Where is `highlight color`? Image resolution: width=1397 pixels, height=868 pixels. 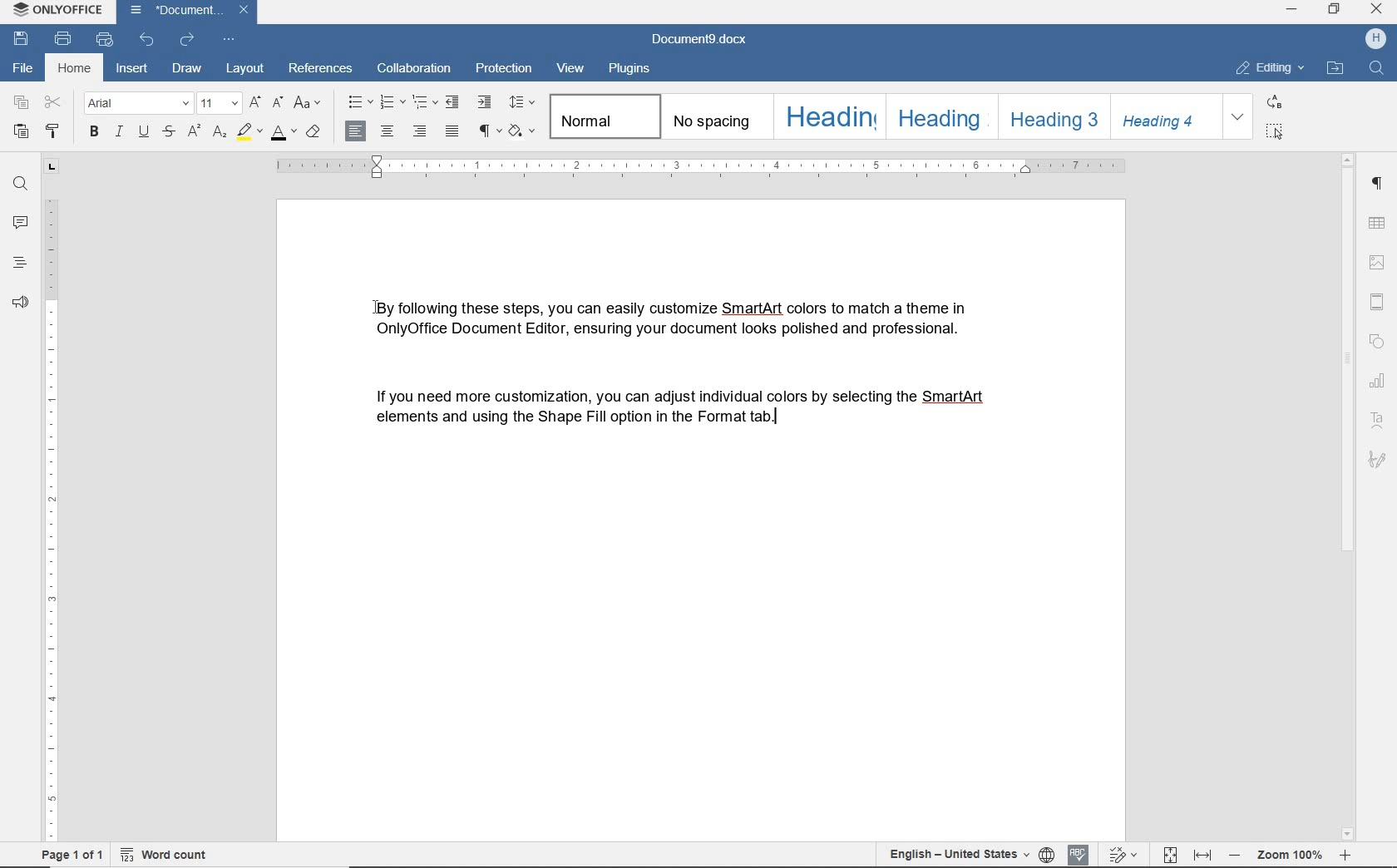
highlight color is located at coordinates (249, 133).